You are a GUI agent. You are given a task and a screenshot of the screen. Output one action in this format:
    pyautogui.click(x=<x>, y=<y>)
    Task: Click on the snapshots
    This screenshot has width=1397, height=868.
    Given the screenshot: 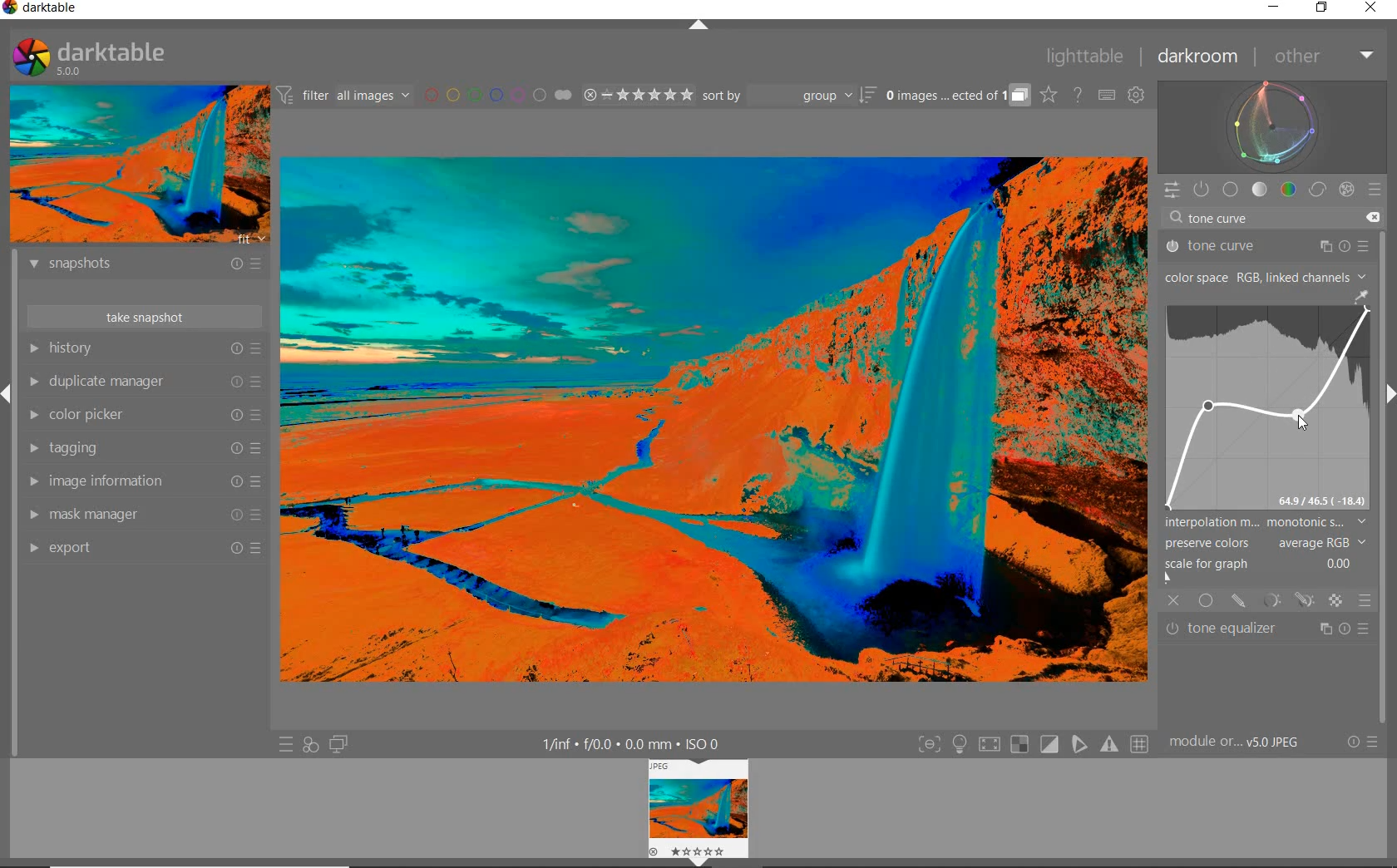 What is the action you would take?
    pyautogui.click(x=149, y=266)
    